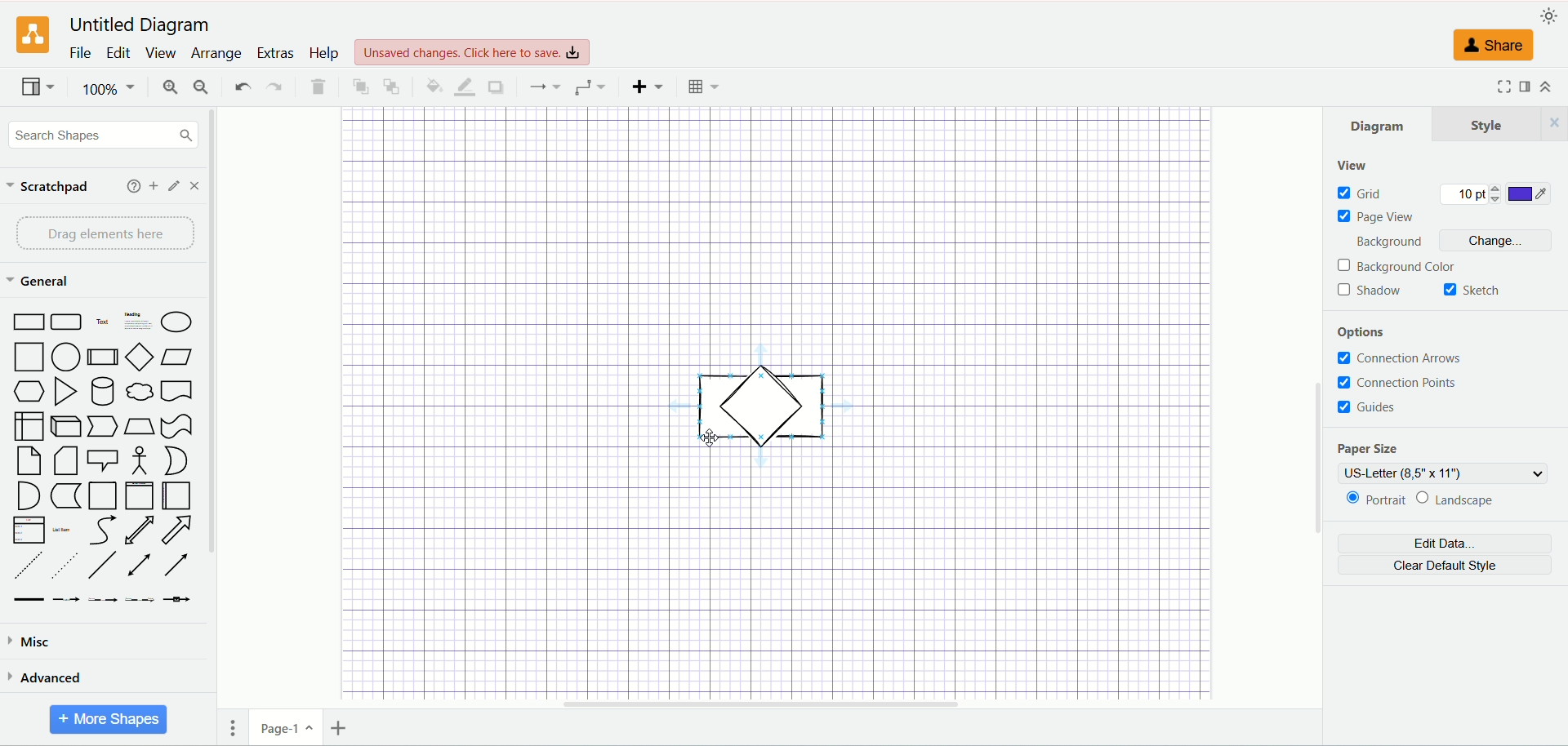  What do you see at coordinates (1378, 218) in the screenshot?
I see `page view` at bounding box center [1378, 218].